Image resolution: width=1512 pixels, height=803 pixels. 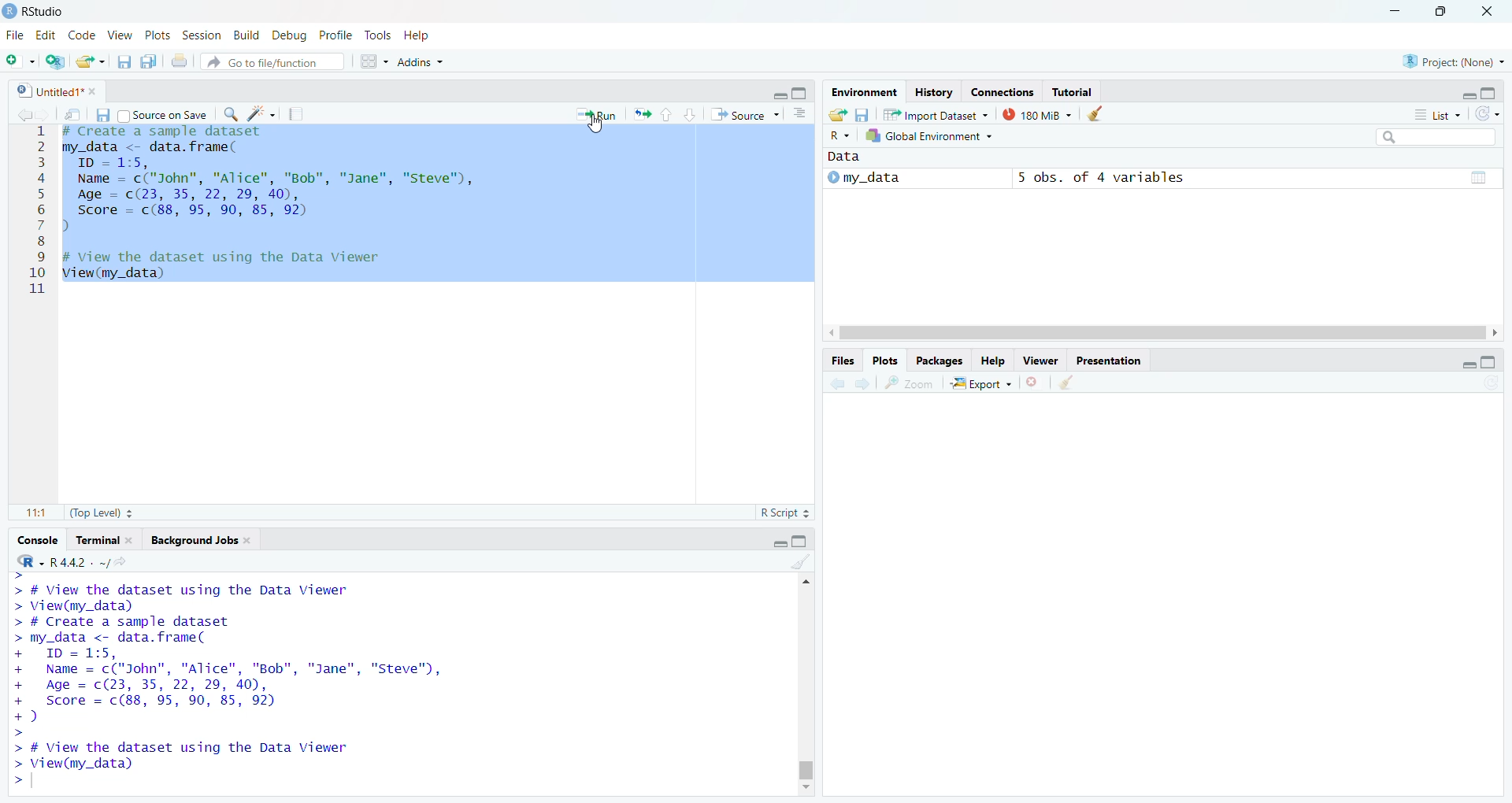 What do you see at coordinates (244, 680) in the screenshot?
I see `> # View the dataset using the Data Viewer
> View(my_data)

> # Create a sample dataset

> my_data <- data. frame(

+ ID = 1:5,

+ Name = c("John", "Alice", "Bob", "Jane", "Steve",
+ Age = c(23, 35, 22, 29, 40),

+ Score = c(88, 95, 90, 85, 92)

+)

>

> # View the dataset using the Data Viewer
> View(my_data)

>` at bounding box center [244, 680].